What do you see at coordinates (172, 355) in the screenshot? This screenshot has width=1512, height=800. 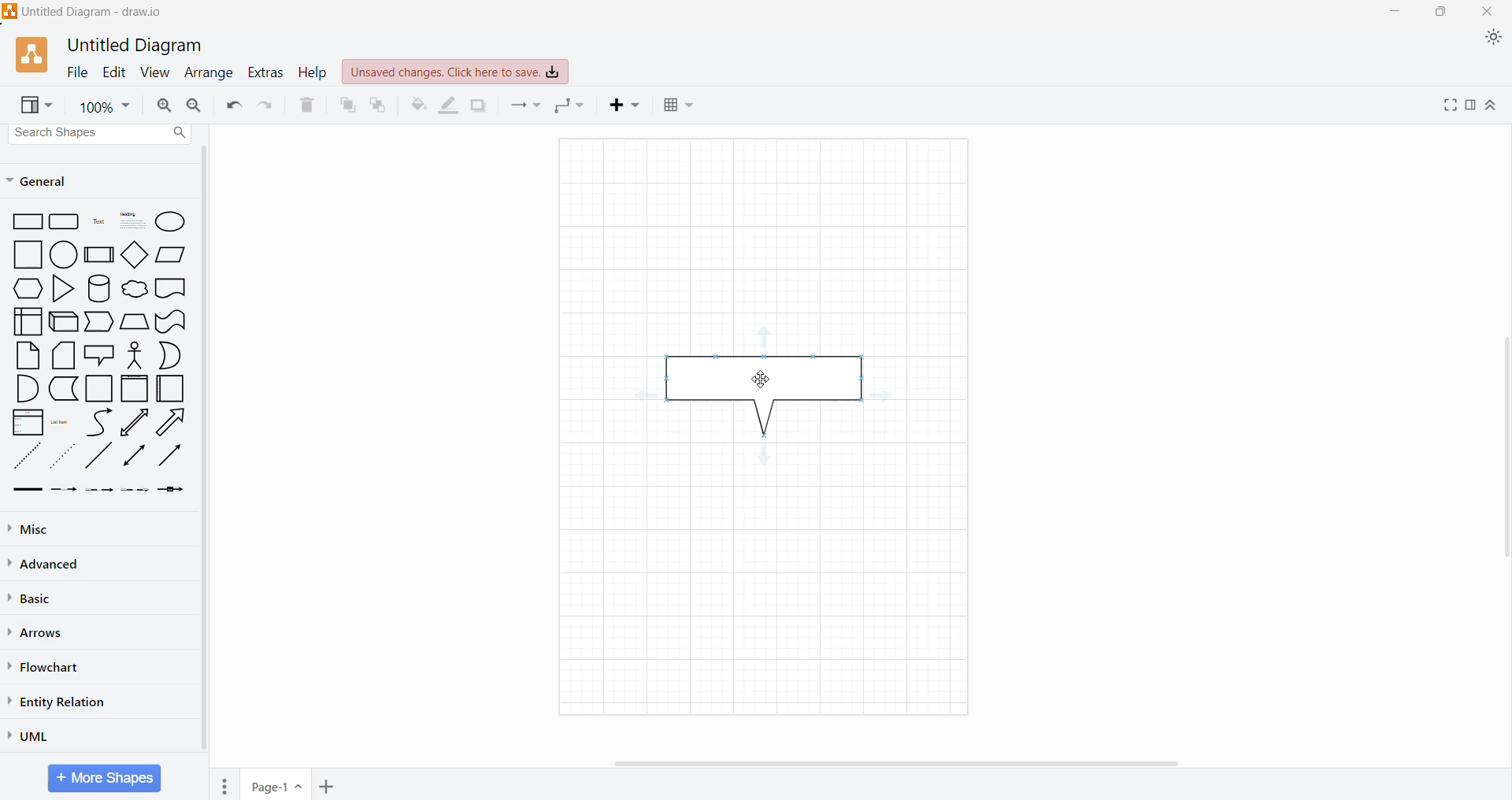 I see `Half Circle` at bounding box center [172, 355].